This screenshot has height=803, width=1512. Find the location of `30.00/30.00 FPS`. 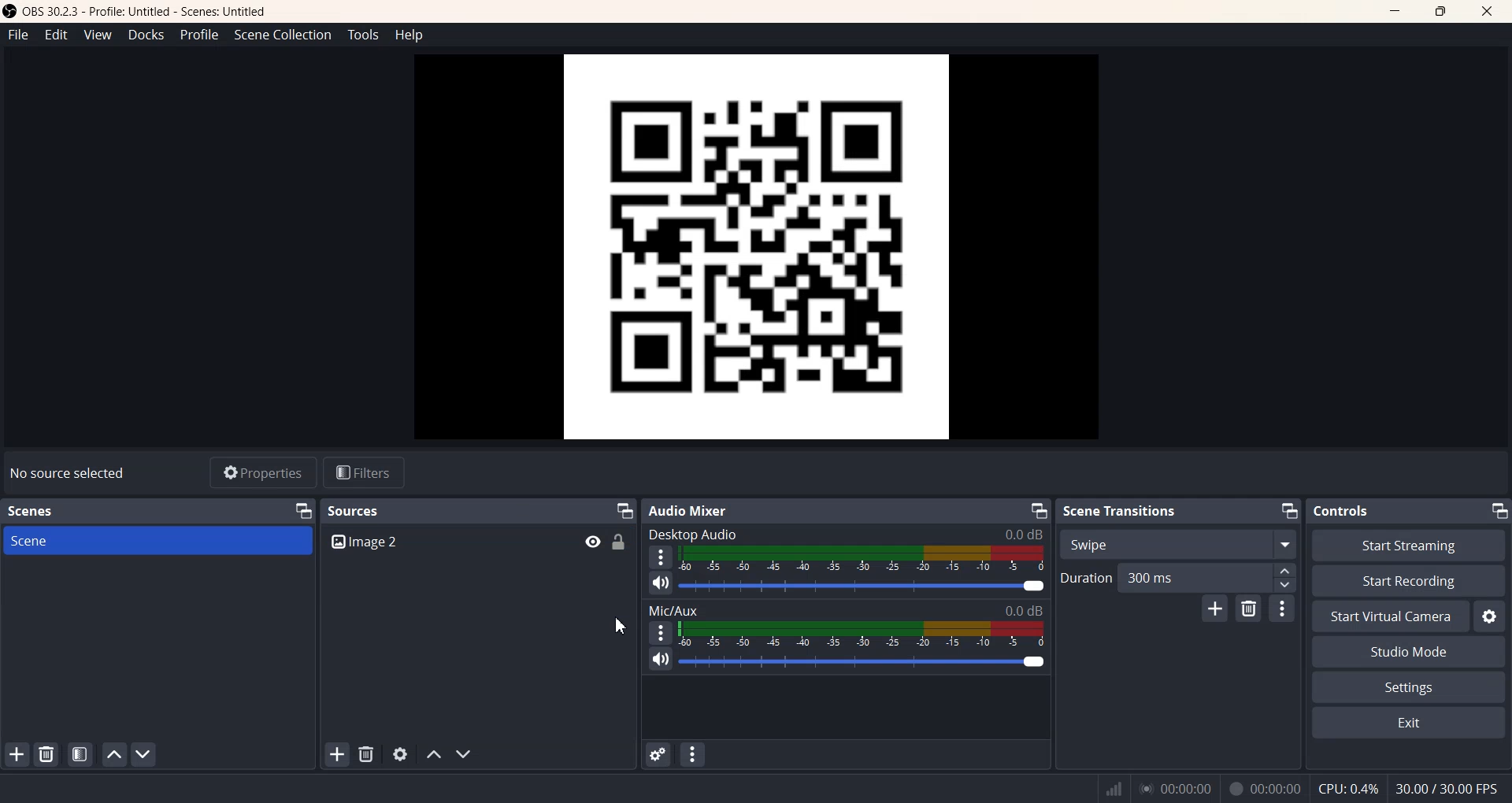

30.00/30.00 FPS is located at coordinates (1451, 787).